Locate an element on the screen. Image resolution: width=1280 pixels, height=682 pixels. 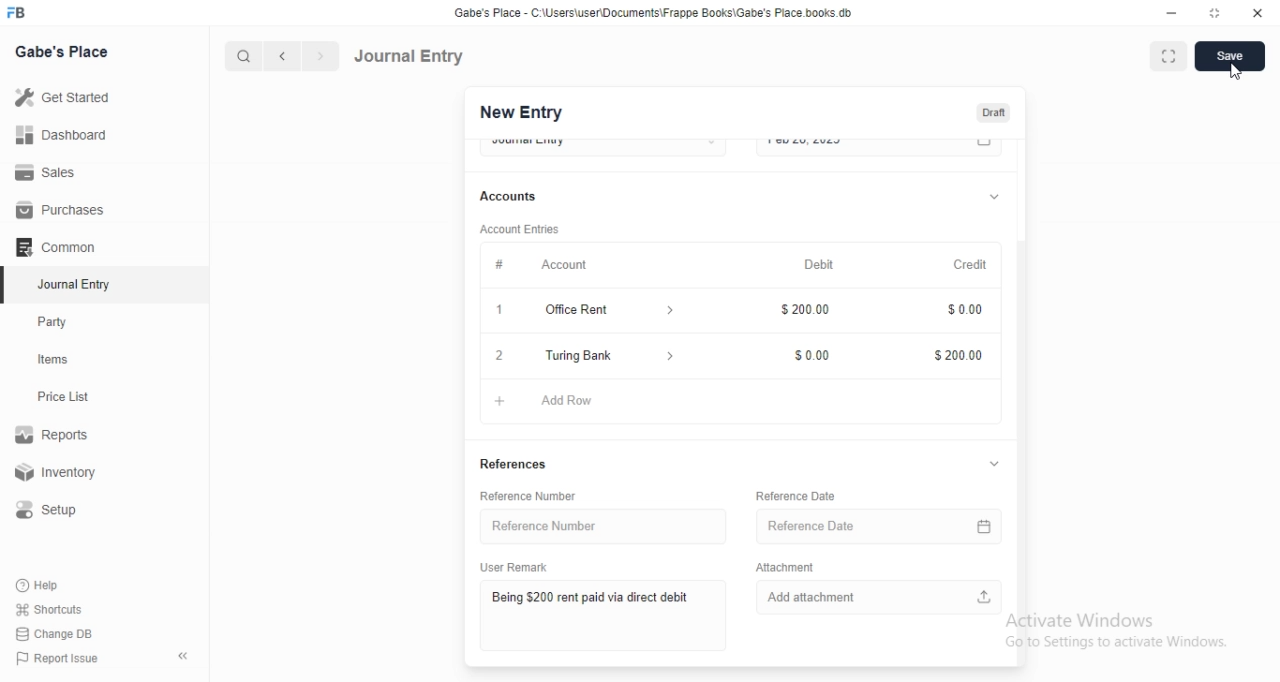
Being $200 rent paid via direct debit is located at coordinates (583, 599).